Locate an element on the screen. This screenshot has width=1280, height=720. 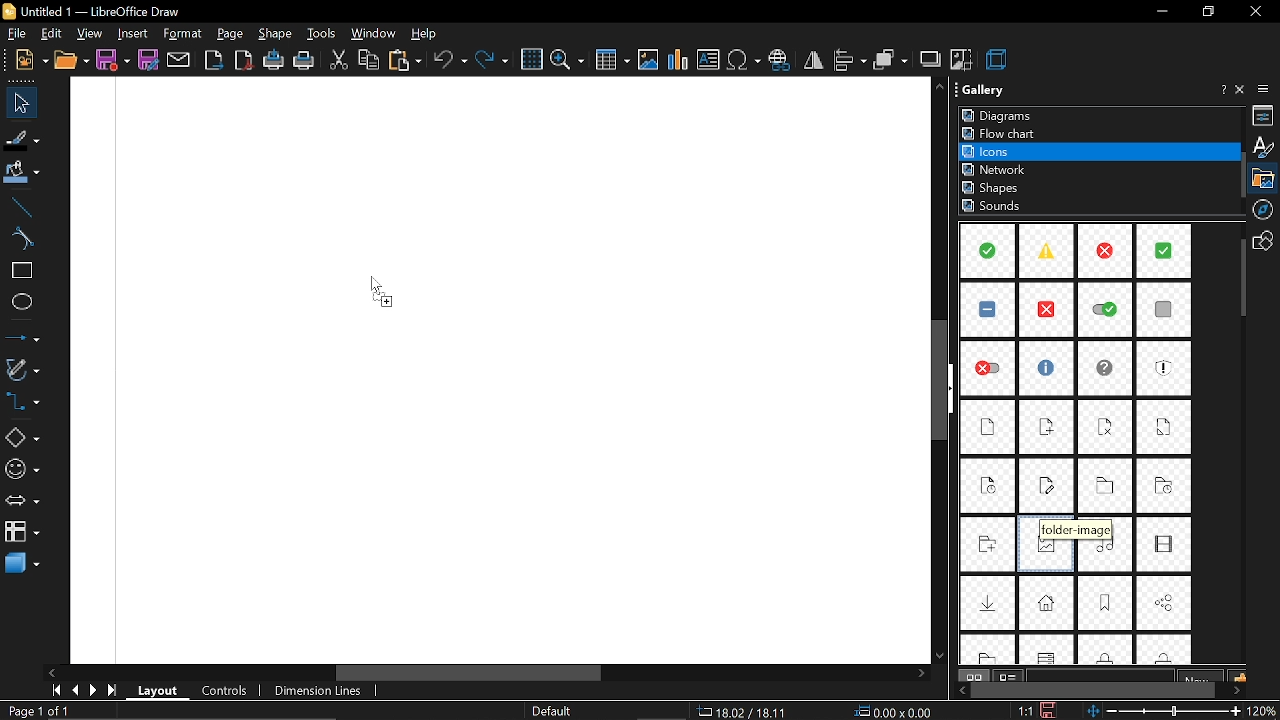
paste is located at coordinates (404, 60).